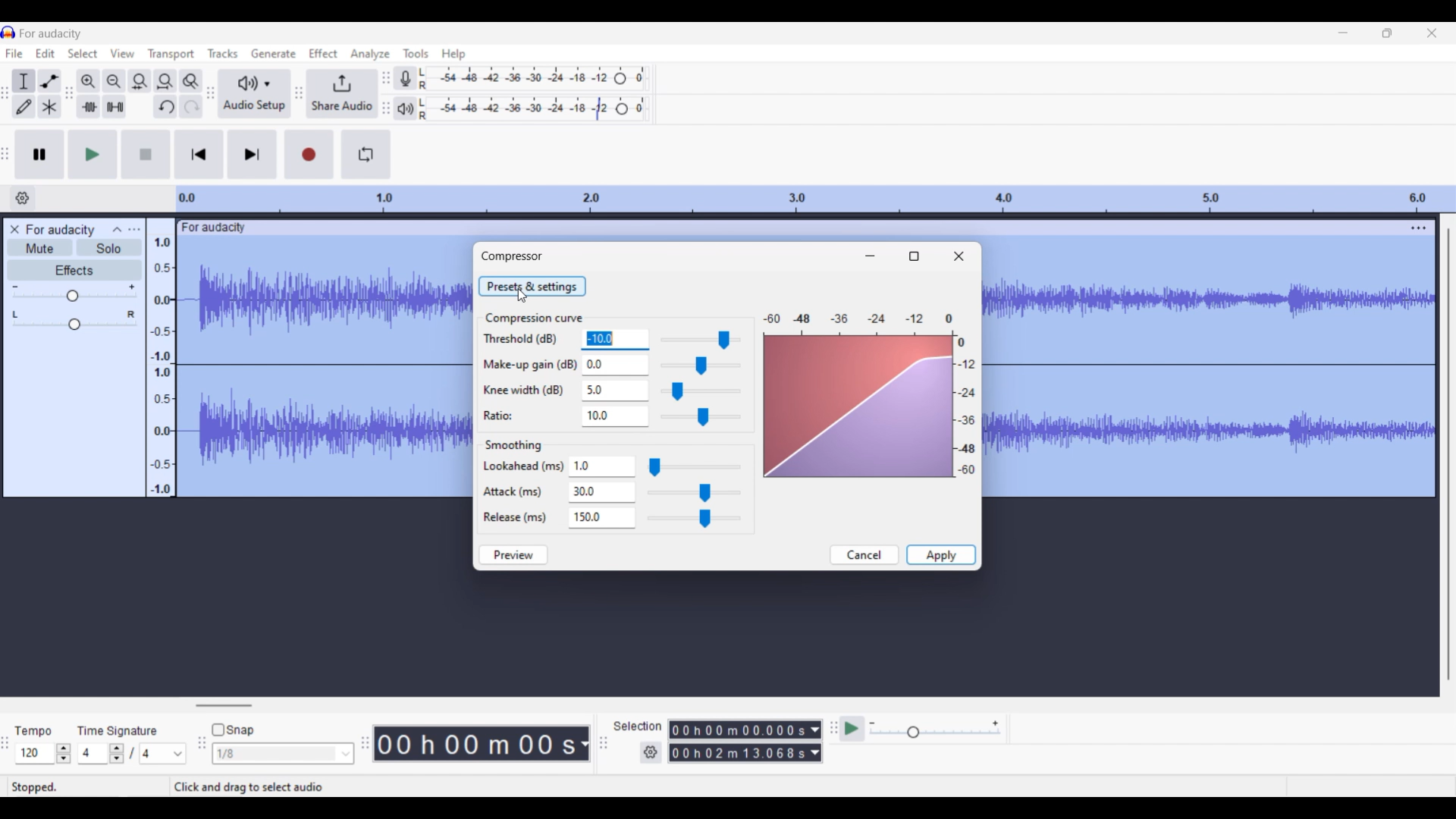 This screenshot has width=1456, height=819. What do you see at coordinates (533, 109) in the screenshot?
I see `Playback level` at bounding box center [533, 109].